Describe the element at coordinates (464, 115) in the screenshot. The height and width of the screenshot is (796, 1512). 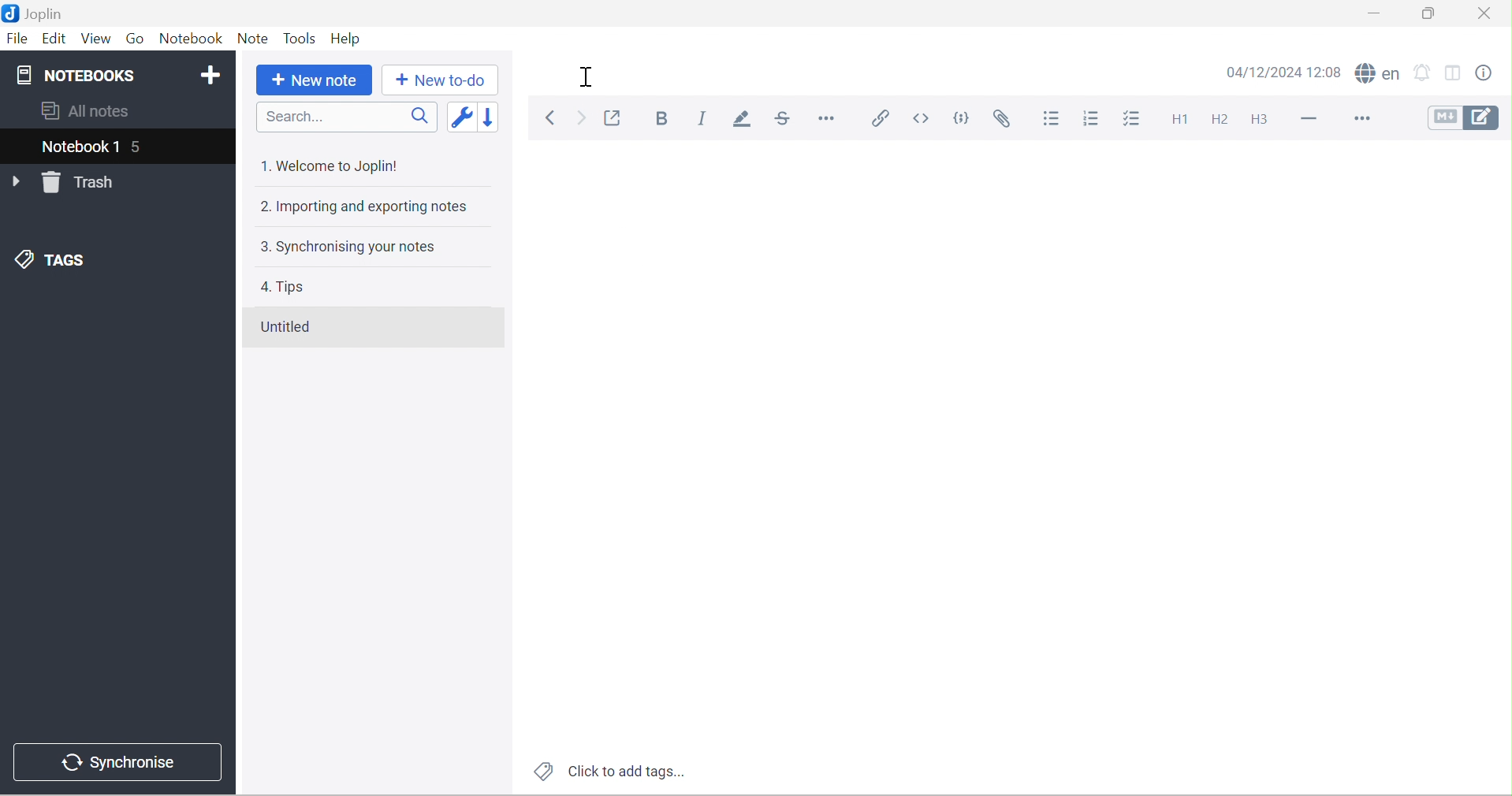
I see `Toggle sort order field` at that location.